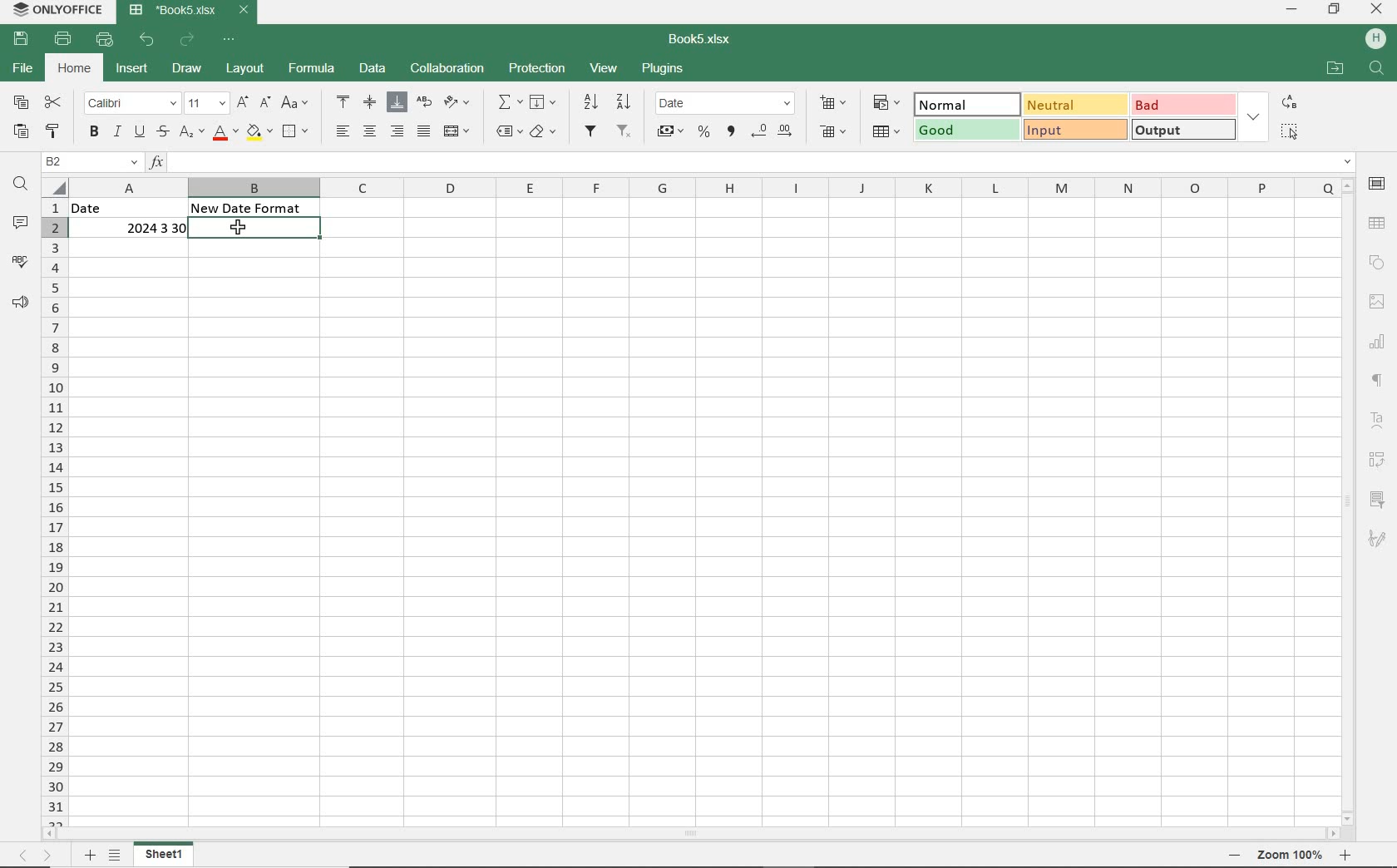 The height and width of the screenshot is (868, 1397). Describe the element at coordinates (63, 37) in the screenshot. I see `PRINT` at that location.